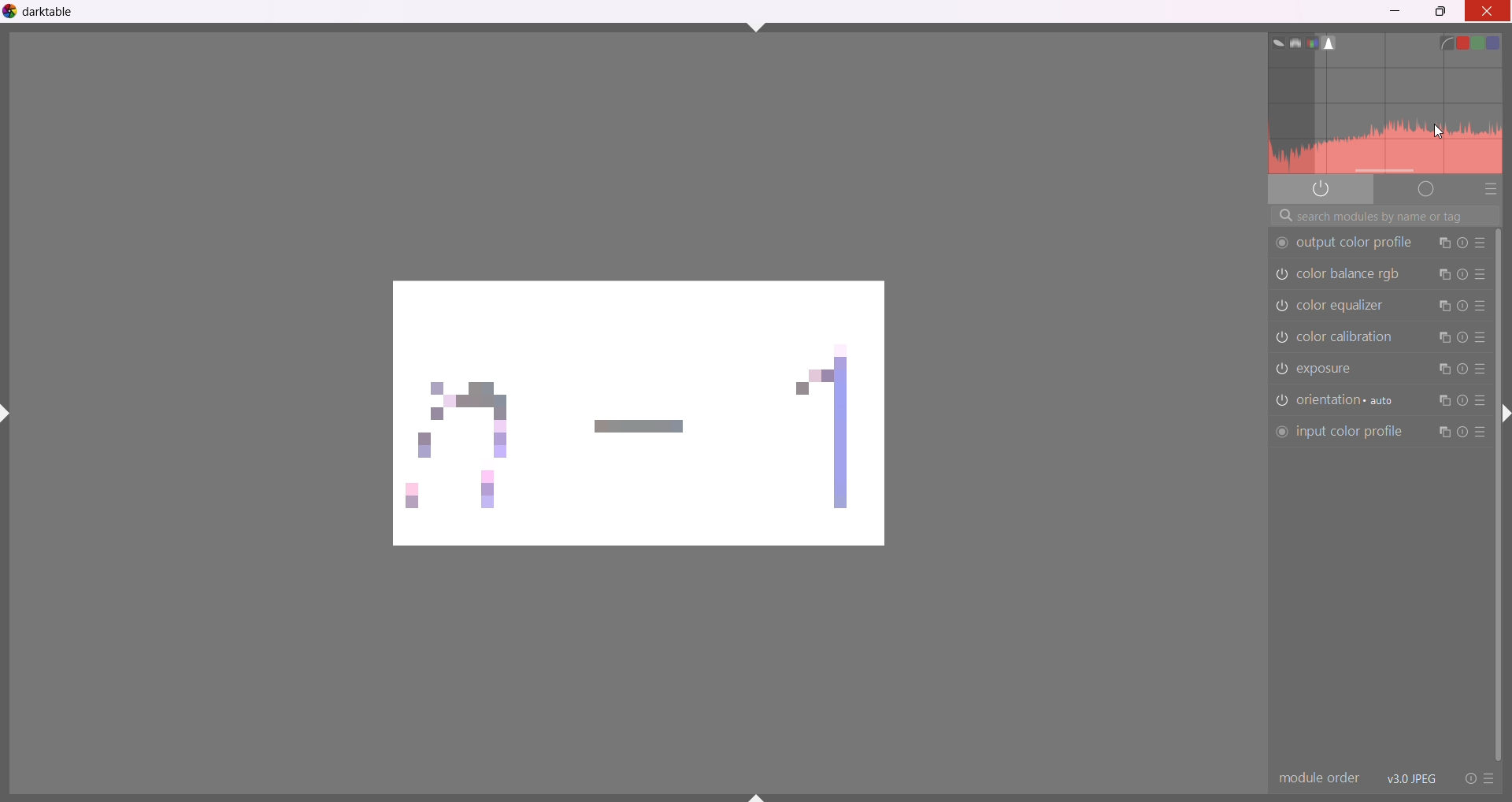 The width and height of the screenshot is (1512, 802). I want to click on instance, so click(1443, 337).